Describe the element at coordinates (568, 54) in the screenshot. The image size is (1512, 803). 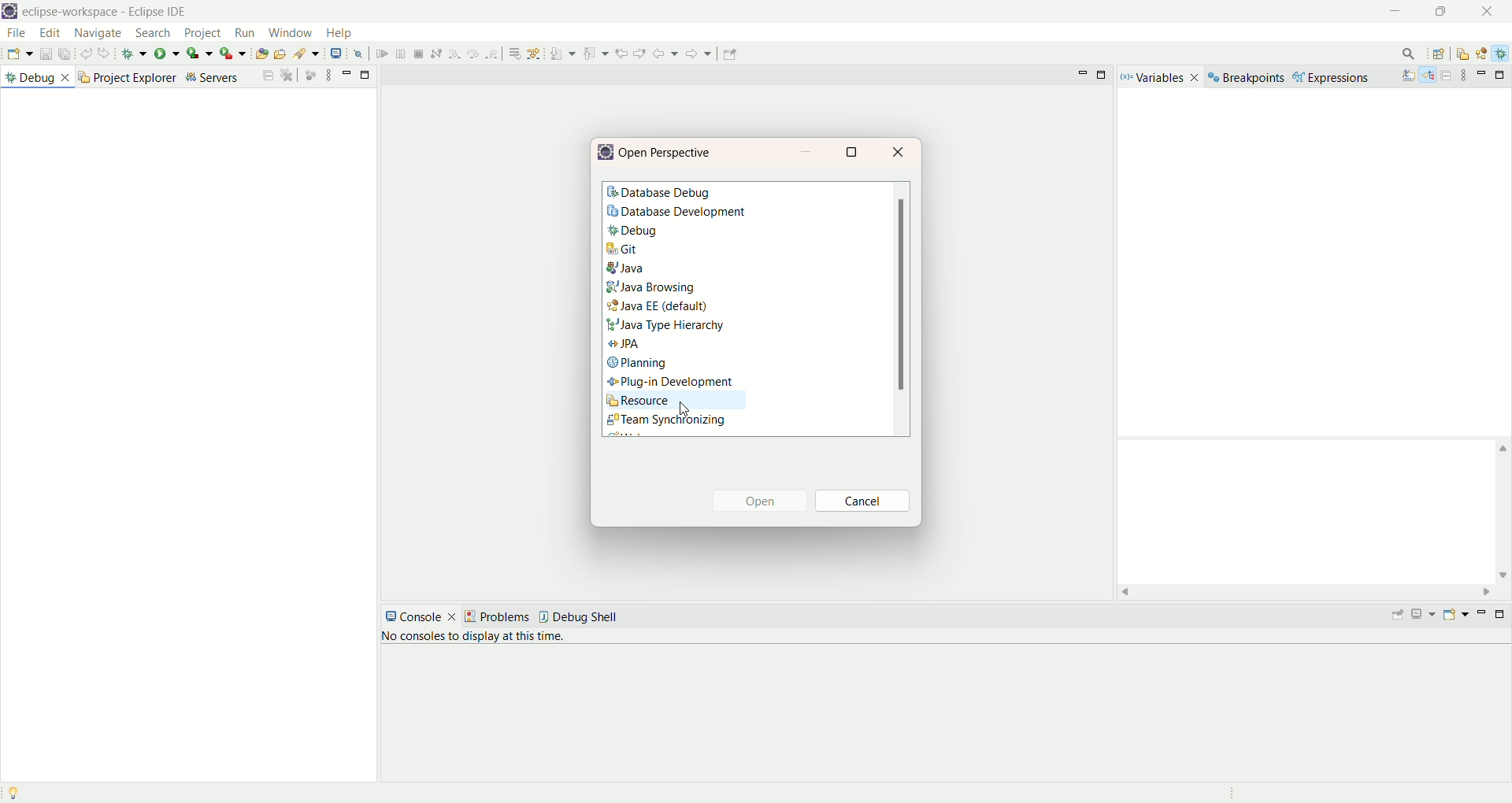
I see `step into` at that location.